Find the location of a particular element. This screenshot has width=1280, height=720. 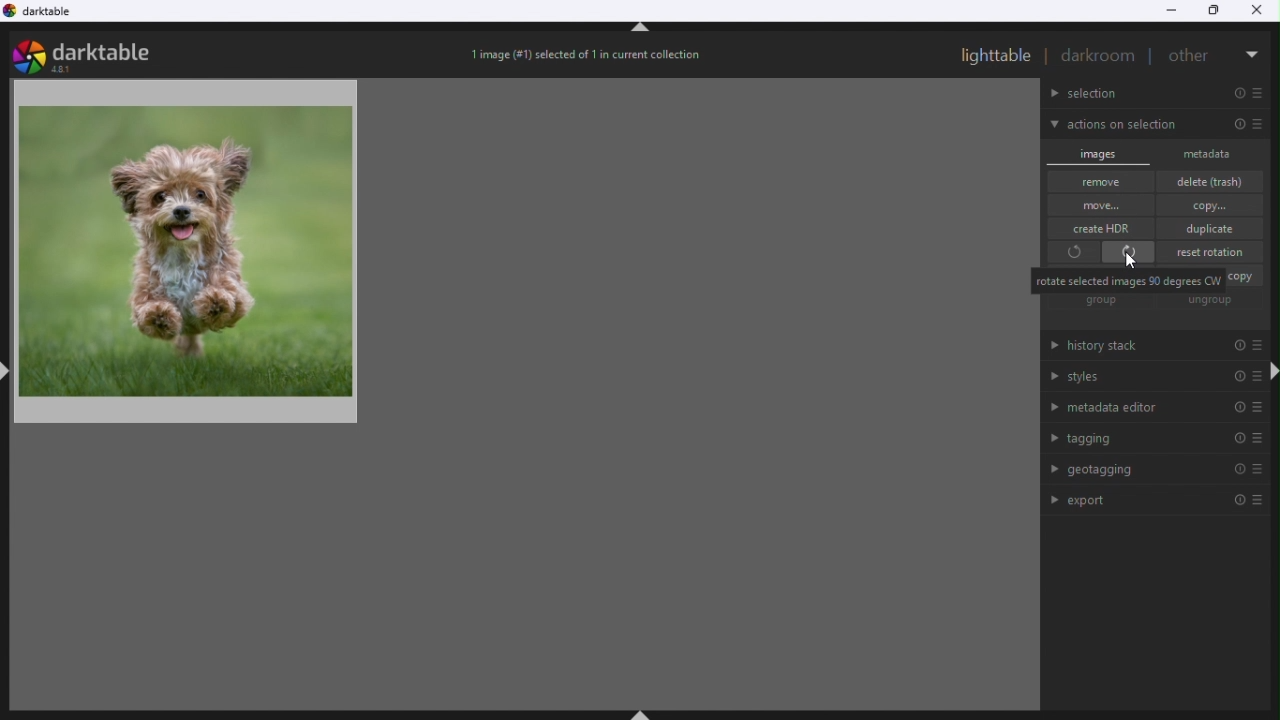

Close is located at coordinates (1262, 10).